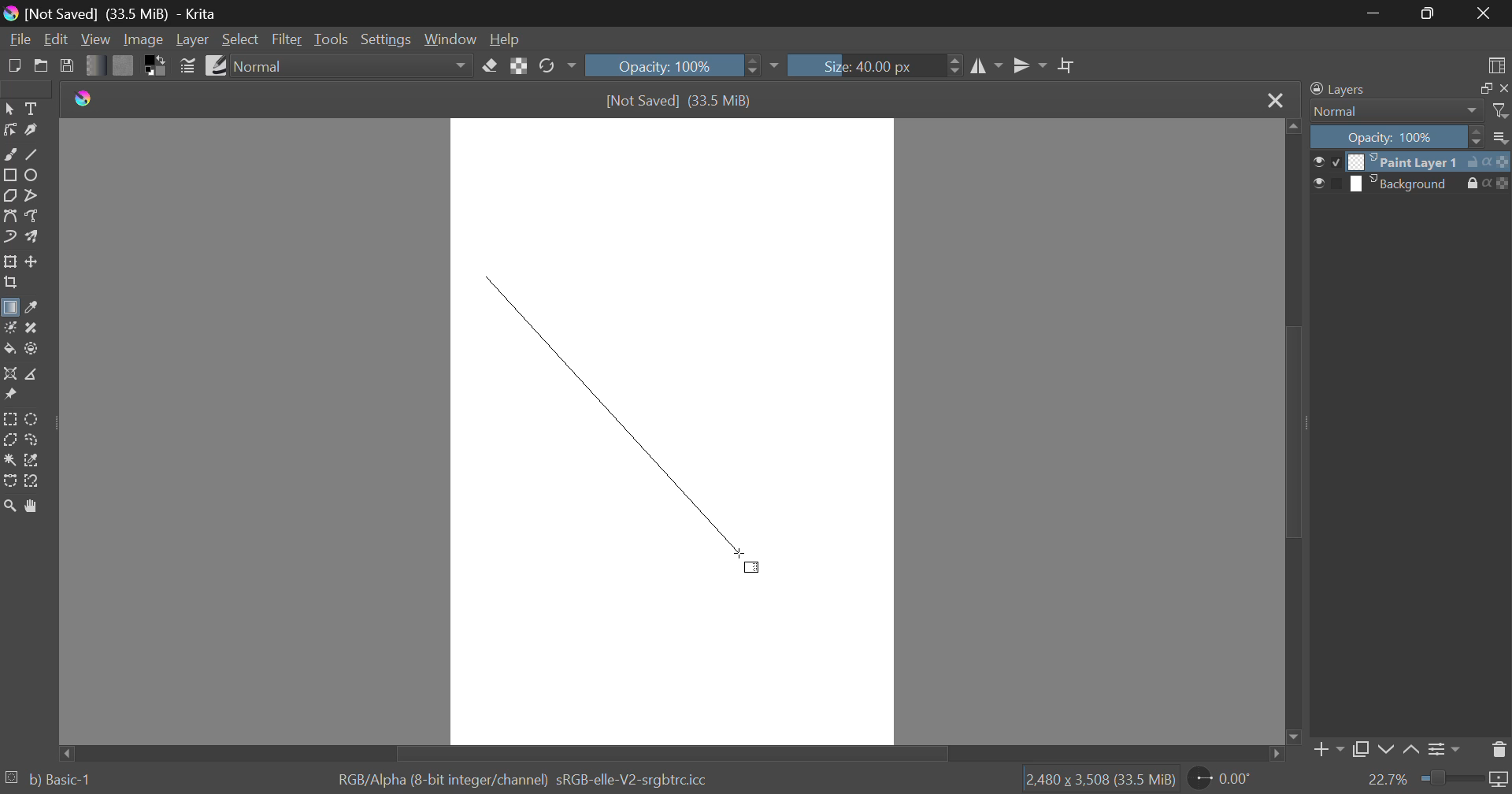 The height and width of the screenshot is (794, 1512). What do you see at coordinates (240, 39) in the screenshot?
I see `Select` at bounding box center [240, 39].